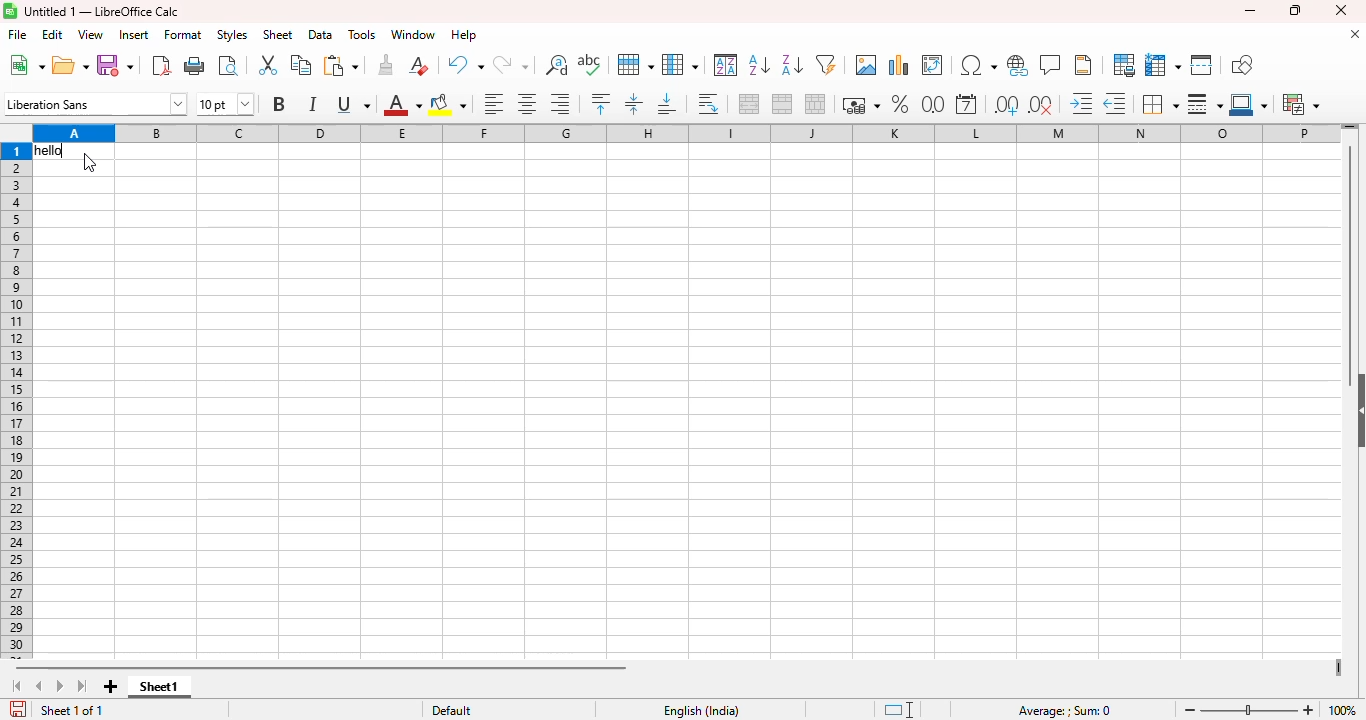 The height and width of the screenshot is (720, 1366). I want to click on column, so click(680, 65).